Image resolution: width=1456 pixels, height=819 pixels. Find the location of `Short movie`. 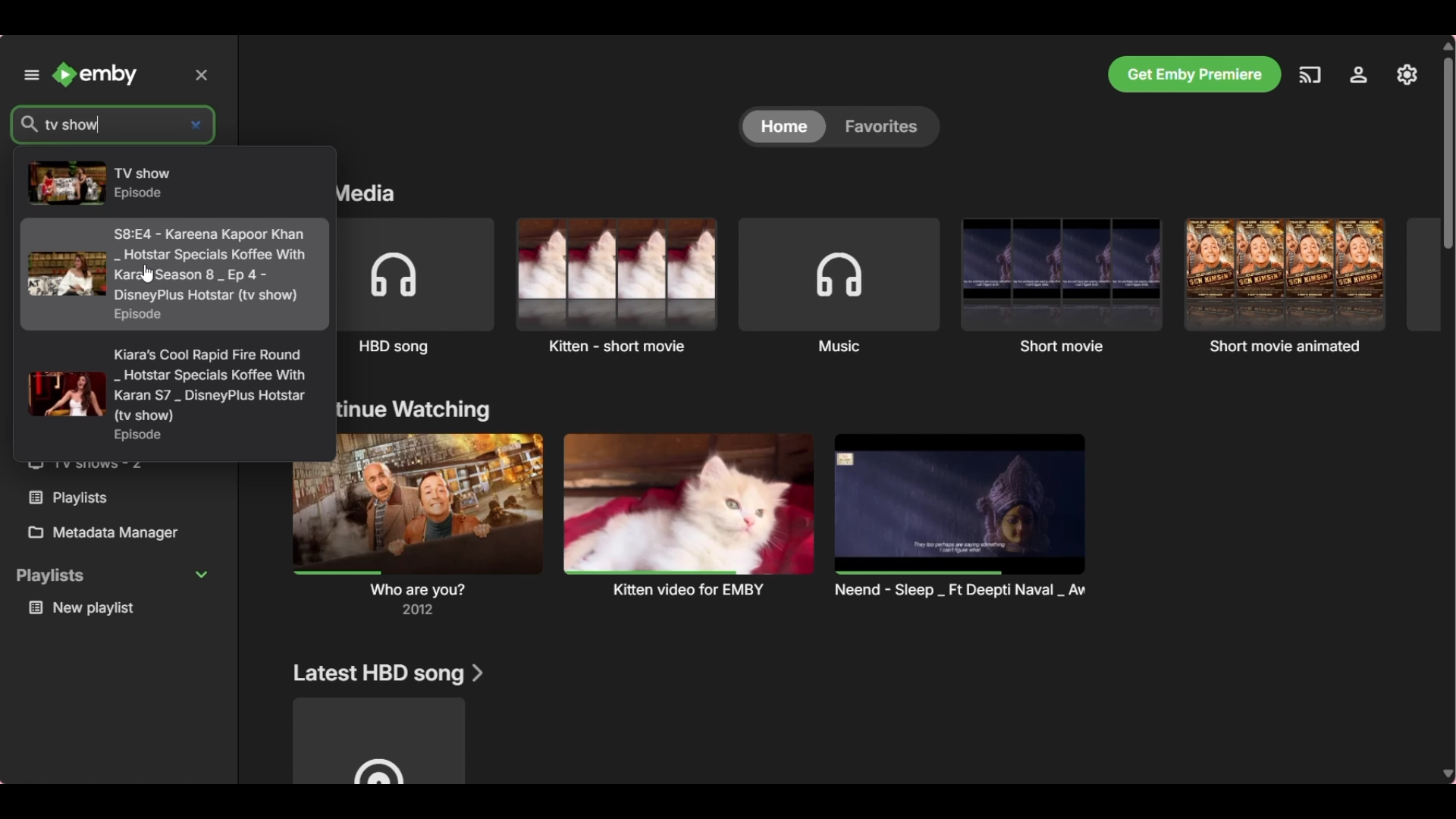

Short movie is located at coordinates (1062, 285).